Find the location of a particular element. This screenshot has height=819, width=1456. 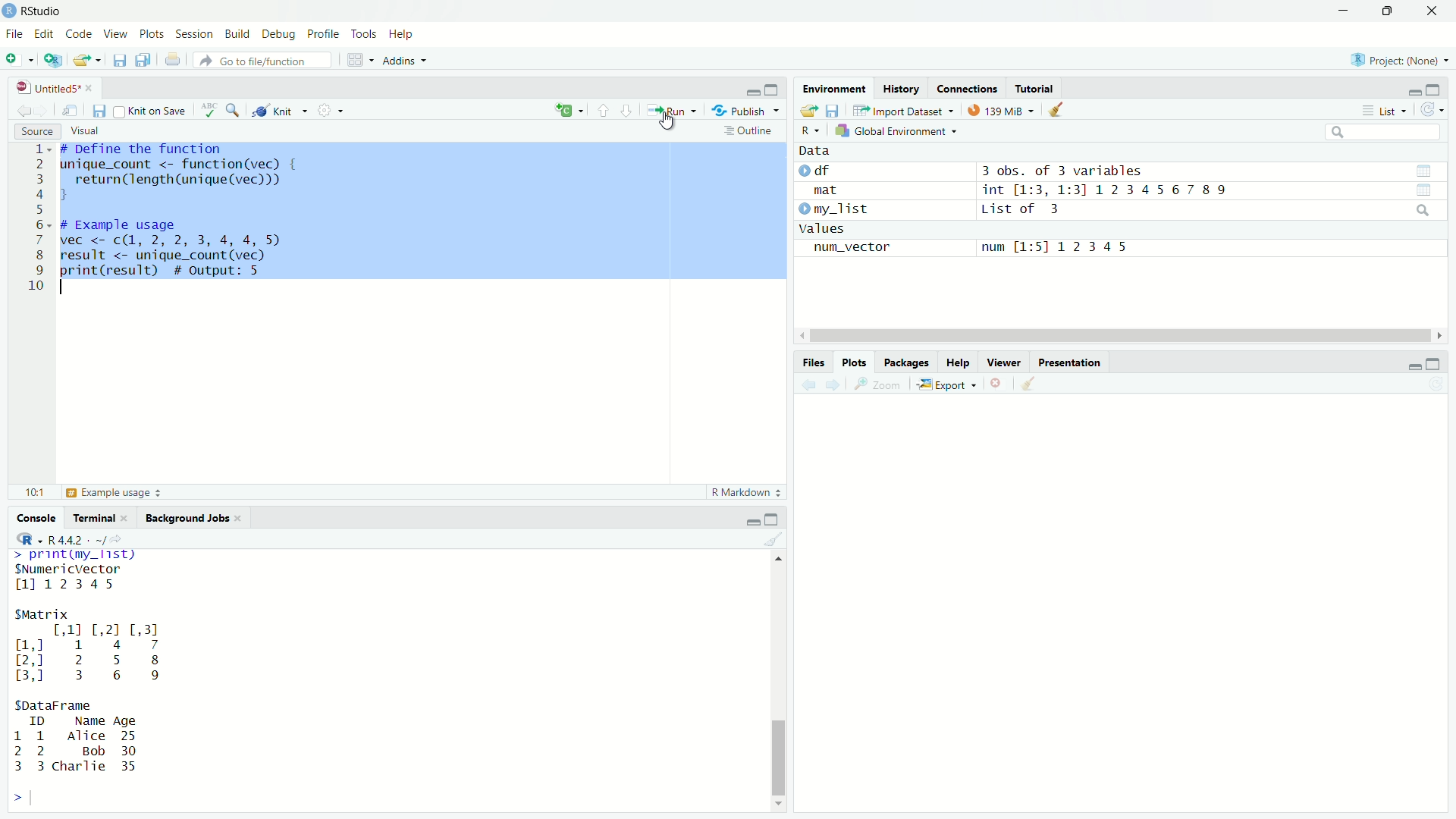

Packages is located at coordinates (905, 362).